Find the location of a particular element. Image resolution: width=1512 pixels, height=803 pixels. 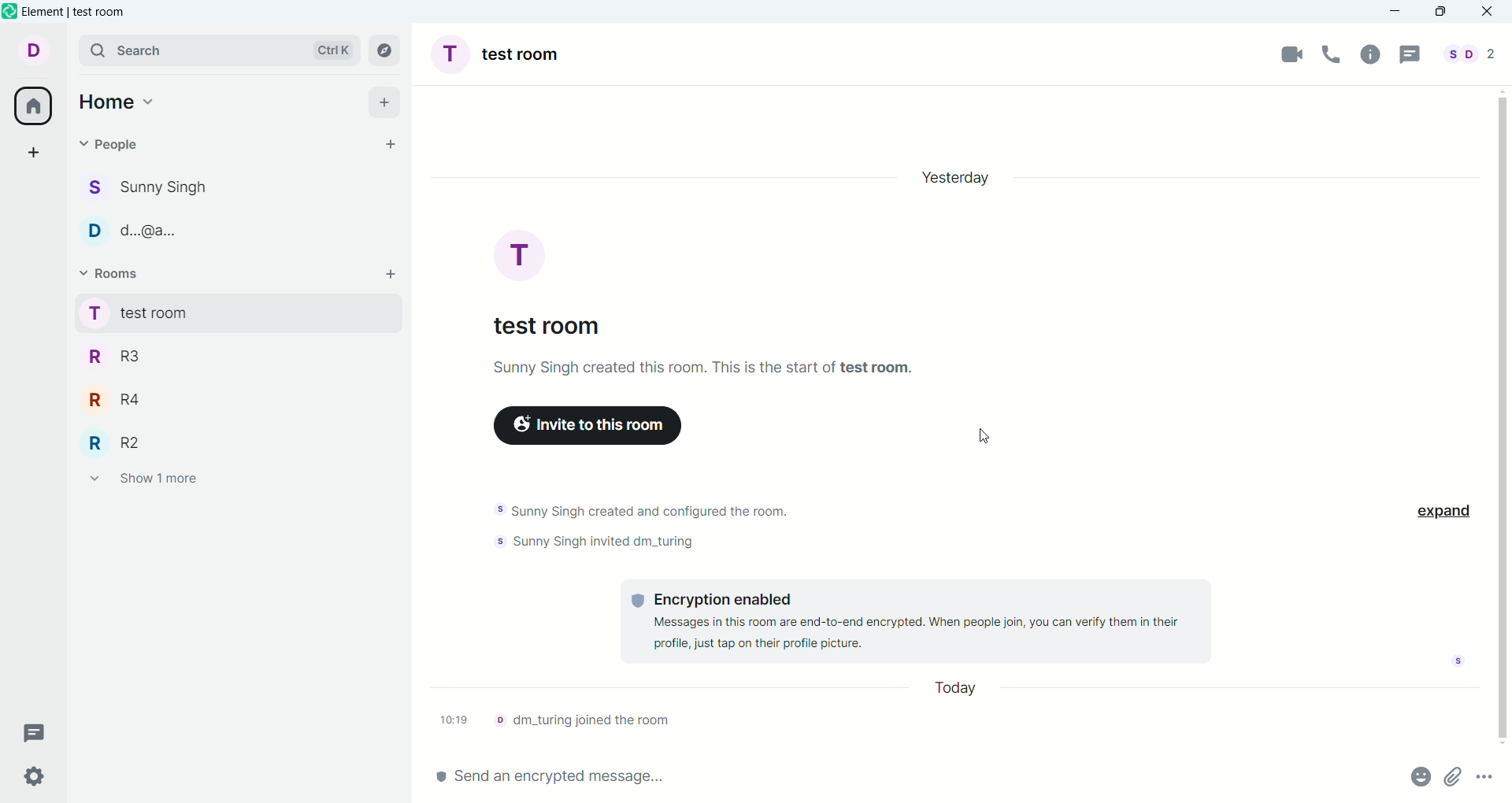

create a space is located at coordinates (34, 151).